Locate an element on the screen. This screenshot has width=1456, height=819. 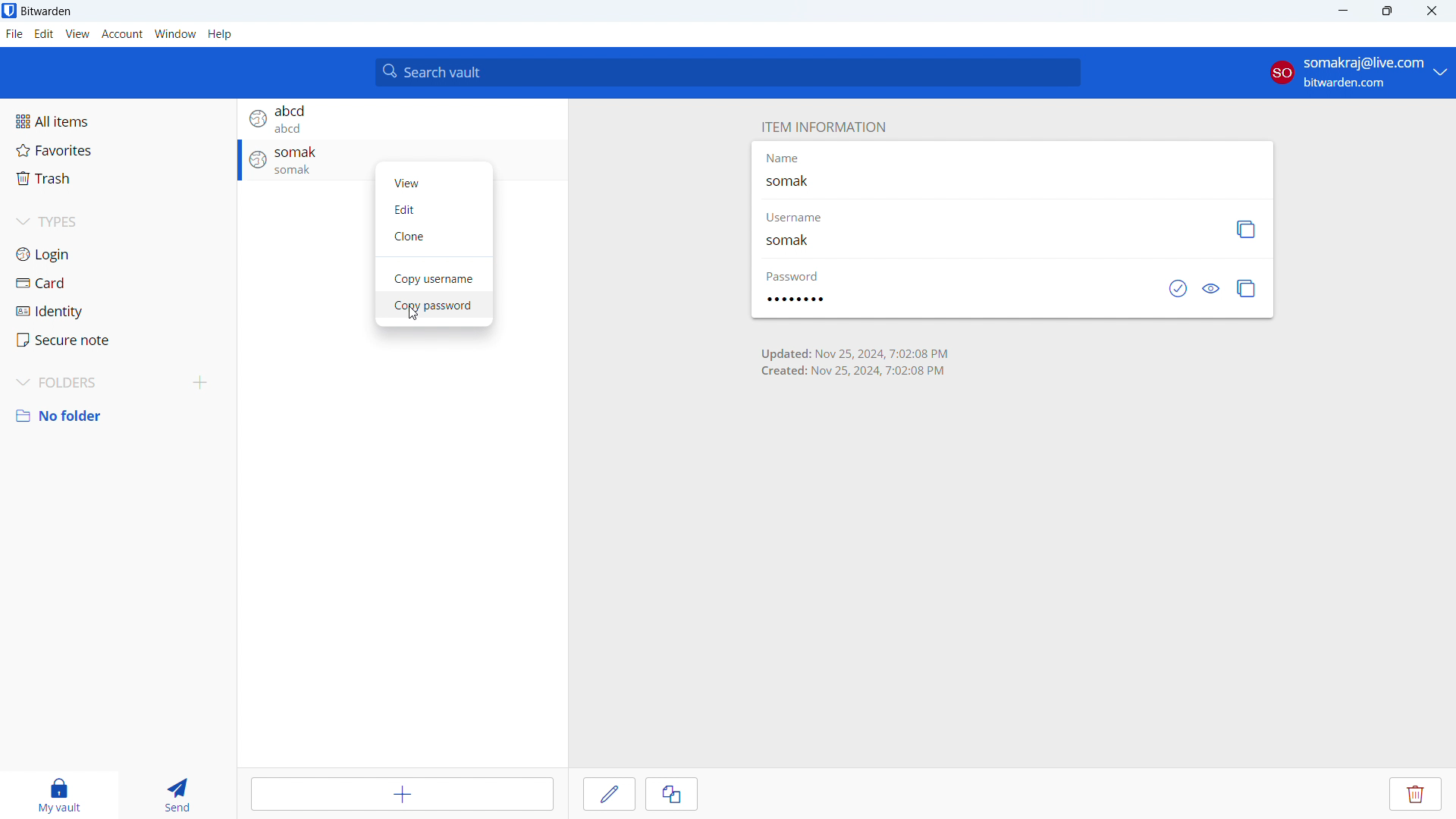
copy password is located at coordinates (1247, 289).